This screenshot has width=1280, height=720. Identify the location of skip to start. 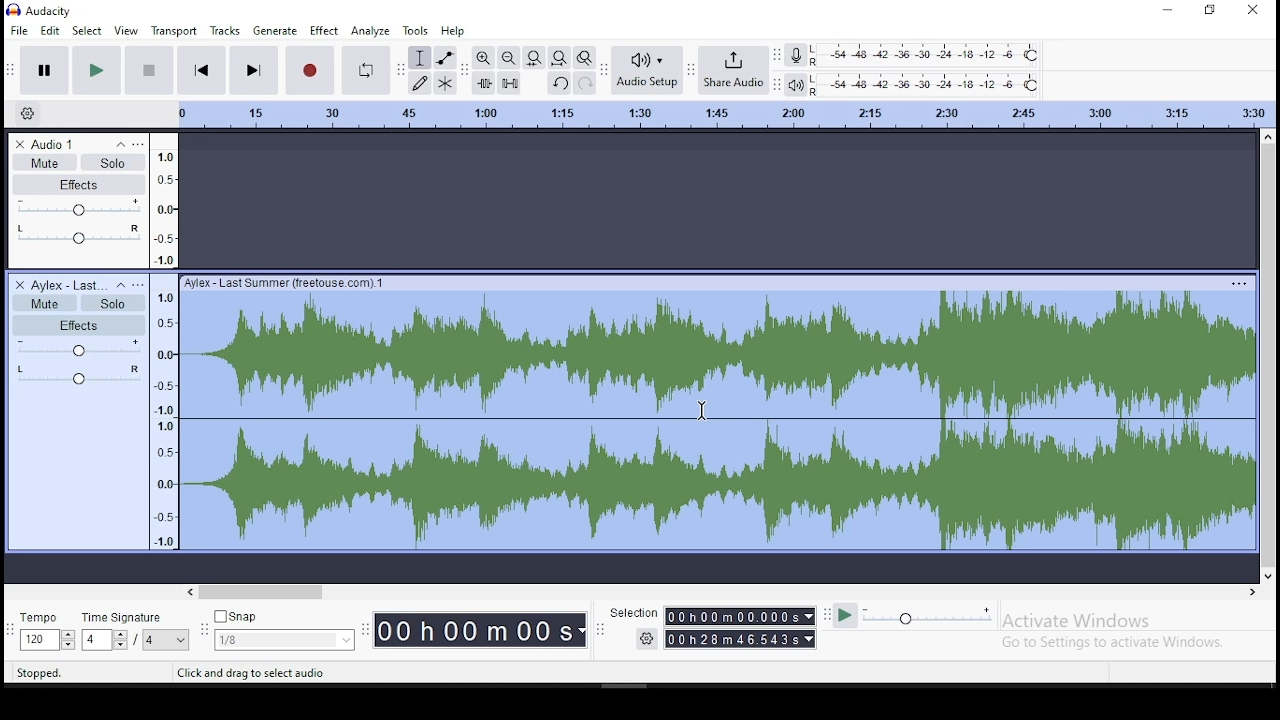
(203, 70).